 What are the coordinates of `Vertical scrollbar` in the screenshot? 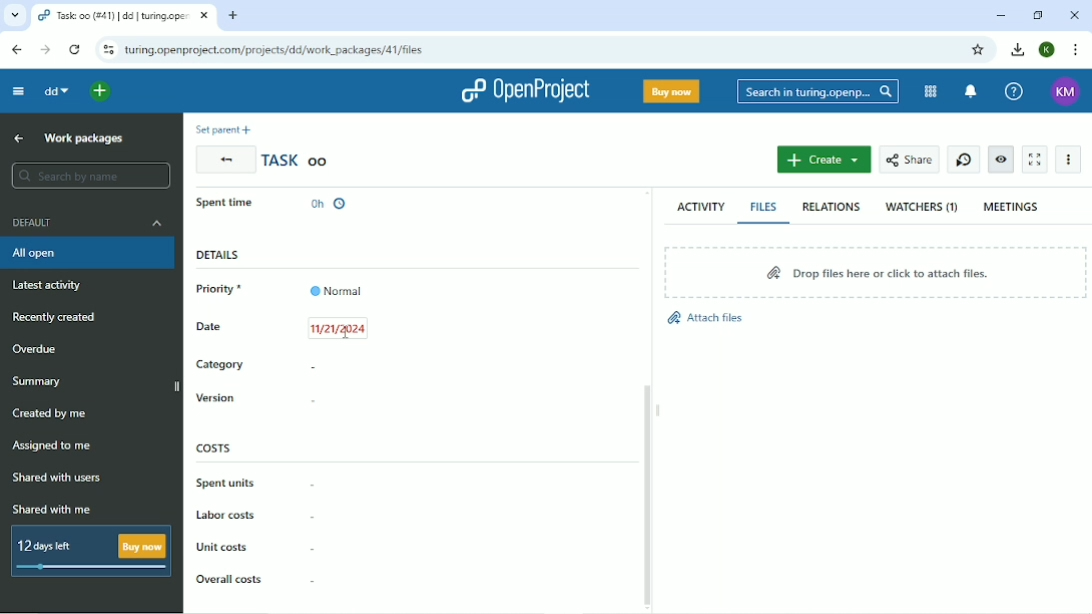 It's located at (648, 485).